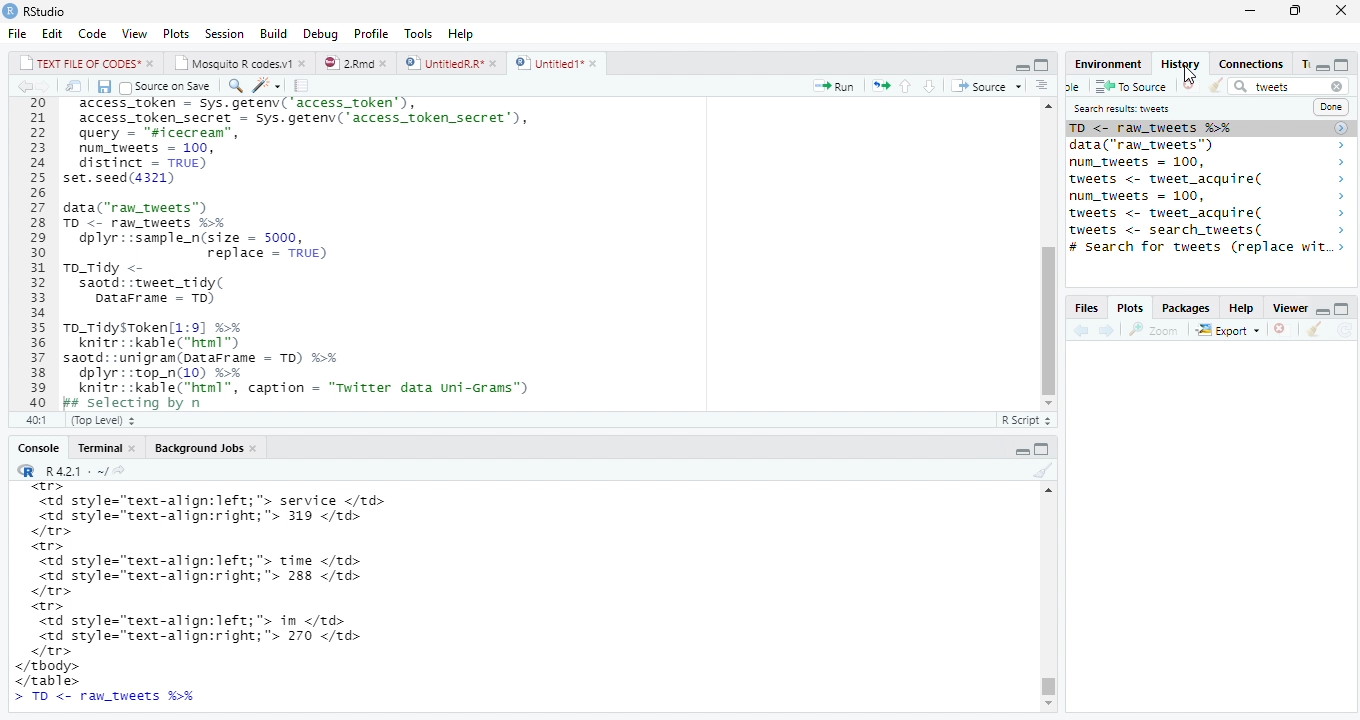  I want to click on close, so click(1344, 12).